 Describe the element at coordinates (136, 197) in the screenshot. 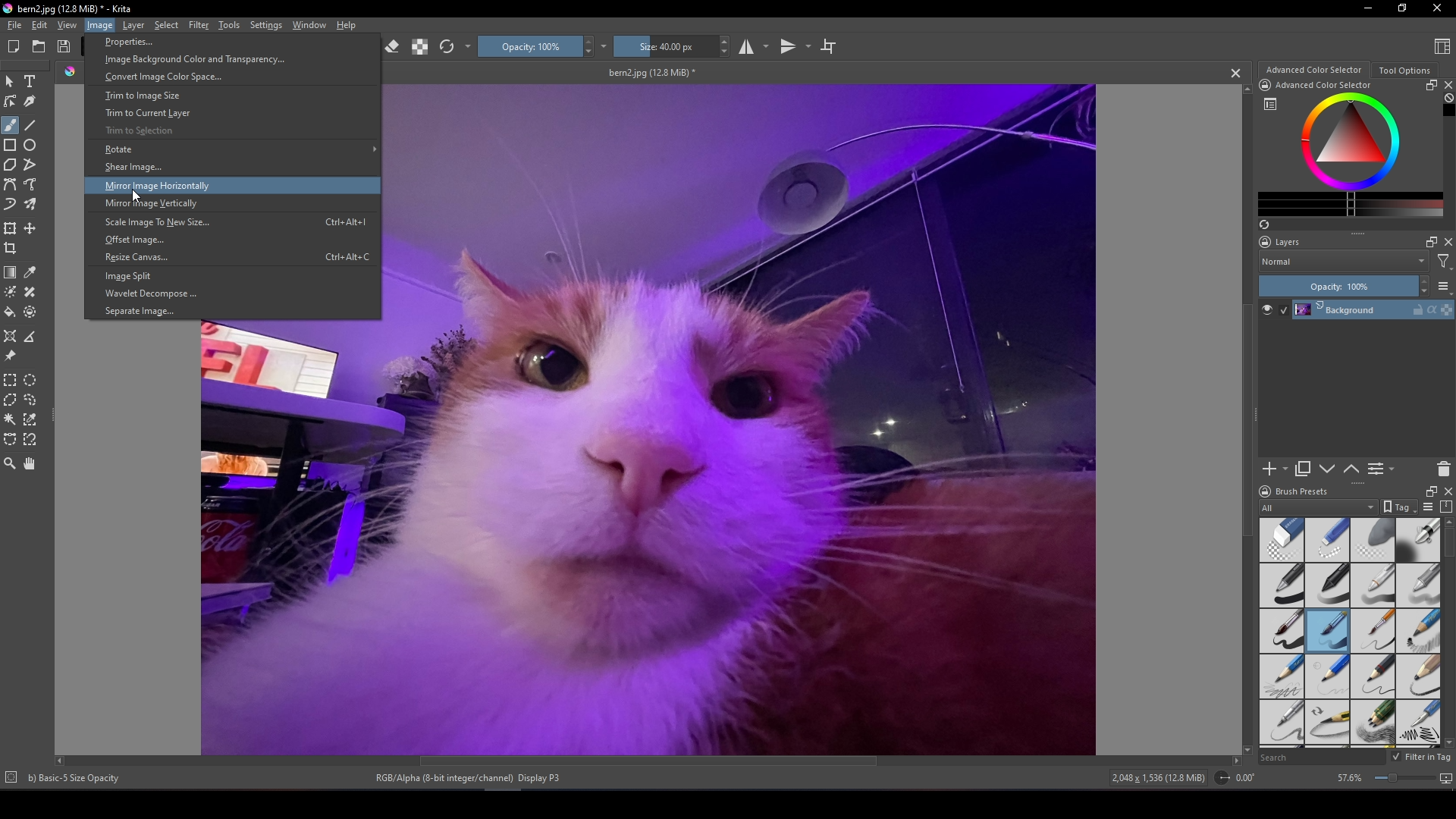

I see `cursor` at that location.